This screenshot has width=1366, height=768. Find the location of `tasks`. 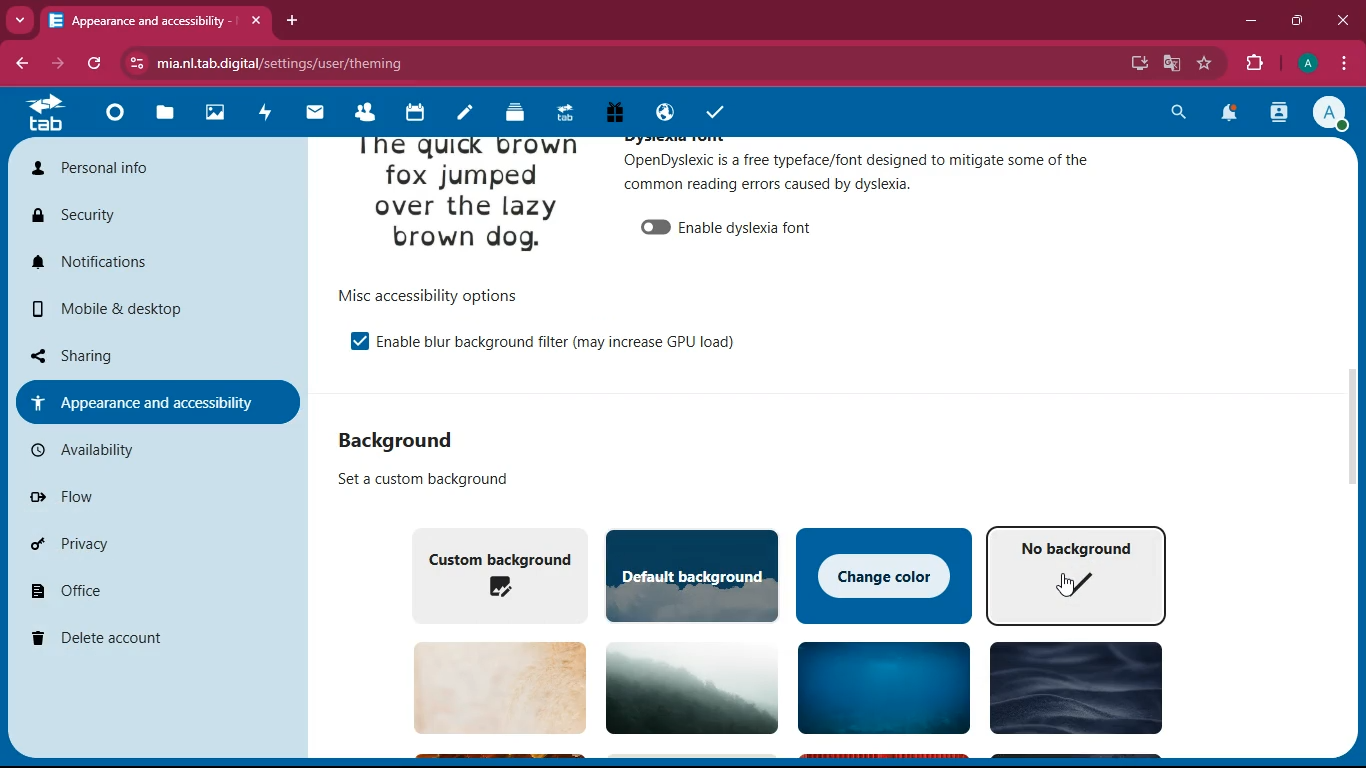

tasks is located at coordinates (711, 109).